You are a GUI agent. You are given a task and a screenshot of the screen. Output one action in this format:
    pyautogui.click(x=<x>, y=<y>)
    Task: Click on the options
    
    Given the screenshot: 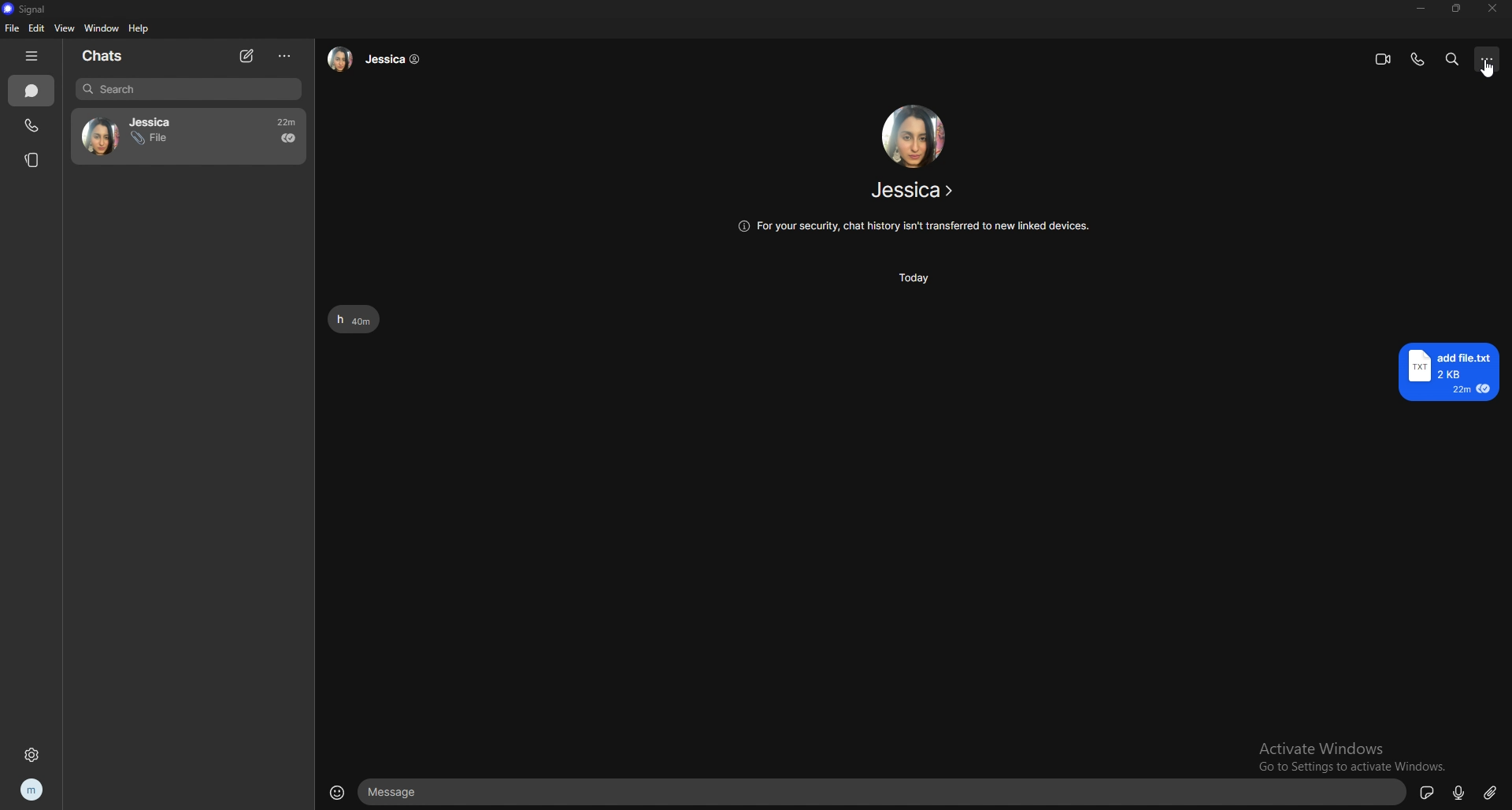 What is the action you would take?
    pyautogui.click(x=1488, y=58)
    